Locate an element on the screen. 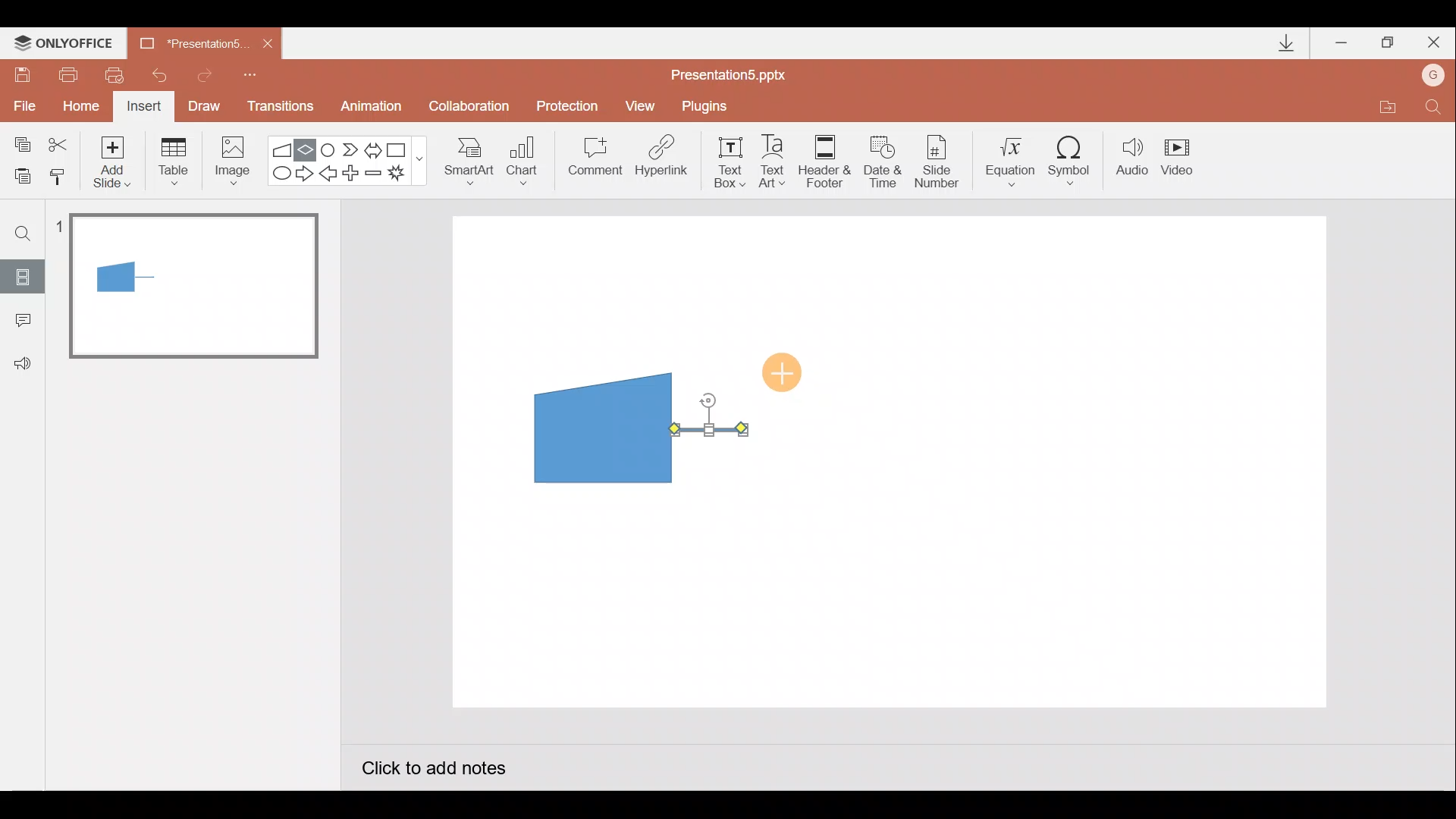  Close is located at coordinates (1434, 45).